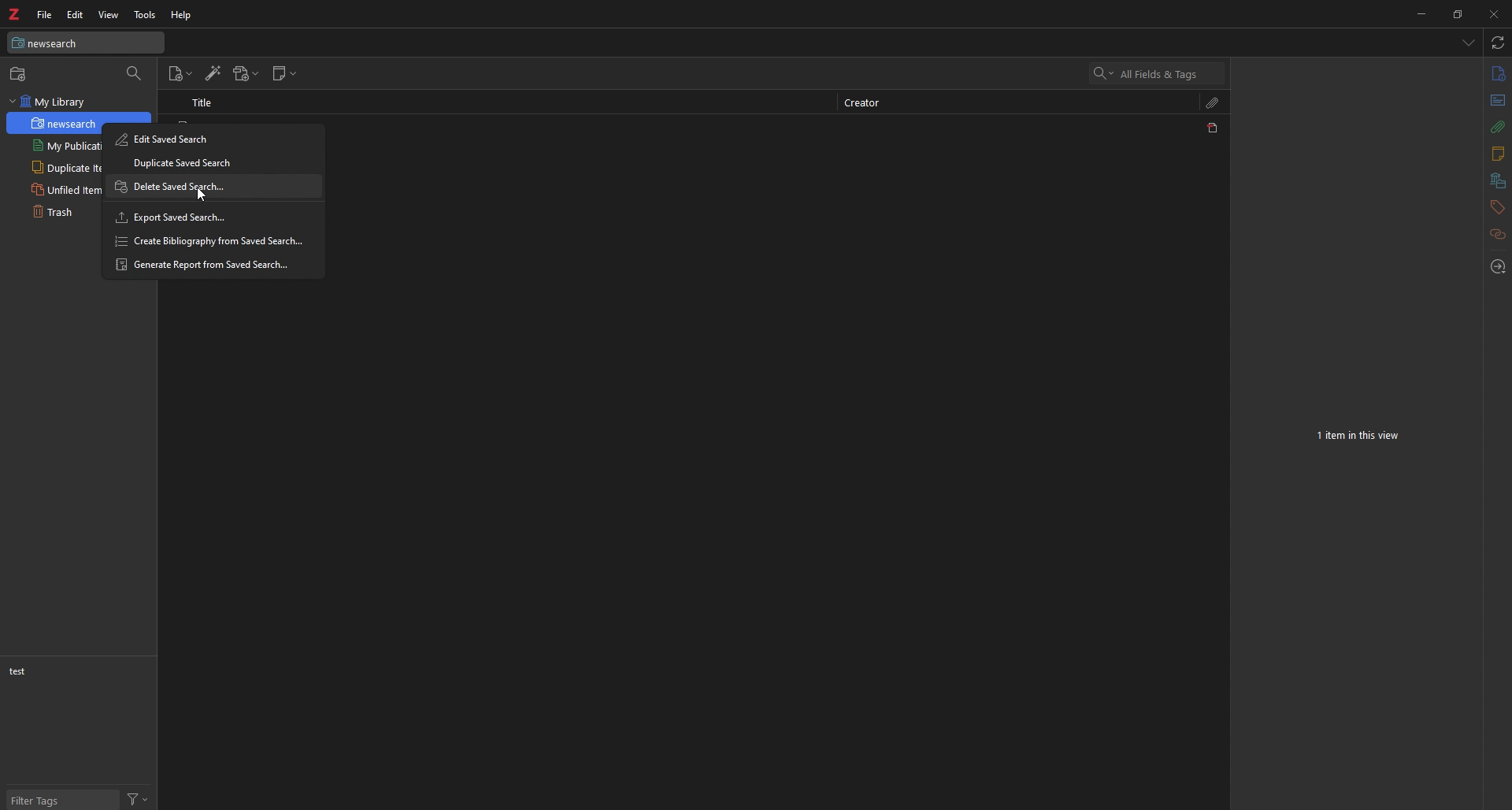  What do you see at coordinates (65, 167) in the screenshot?
I see `Duplicate Items` at bounding box center [65, 167].